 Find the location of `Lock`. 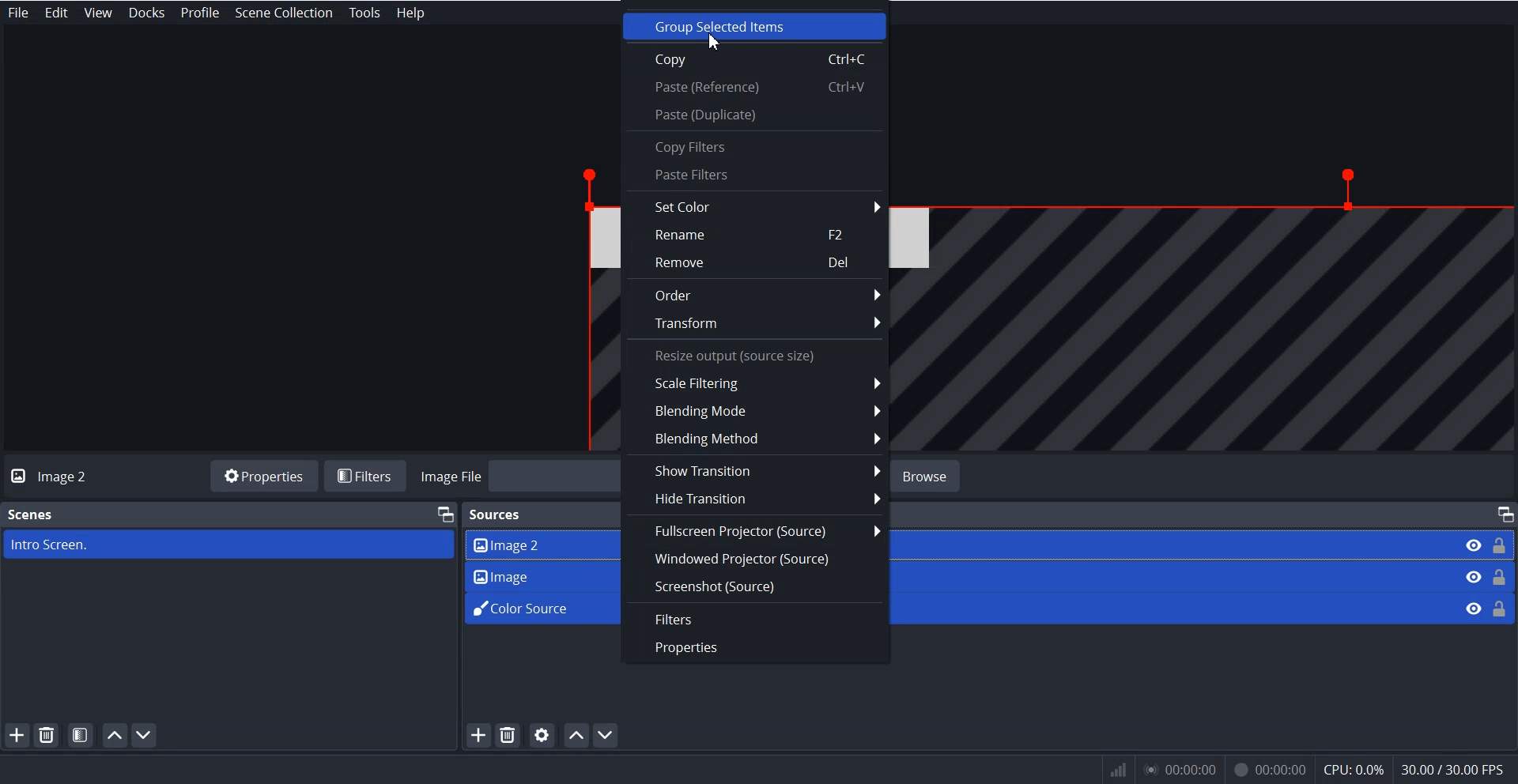

Lock is located at coordinates (1501, 575).